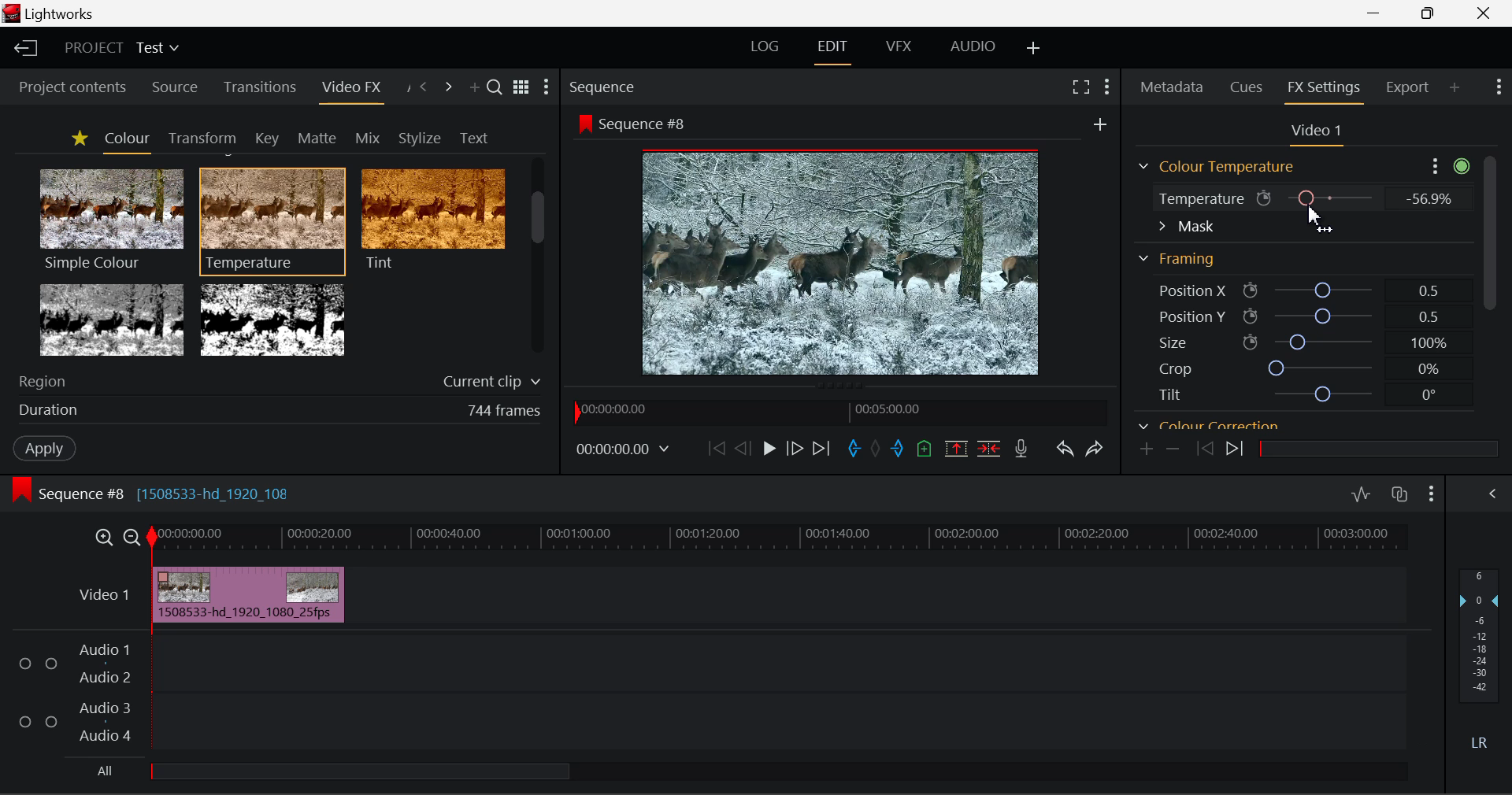 The height and width of the screenshot is (795, 1512). I want to click on crop, so click(1323, 367).